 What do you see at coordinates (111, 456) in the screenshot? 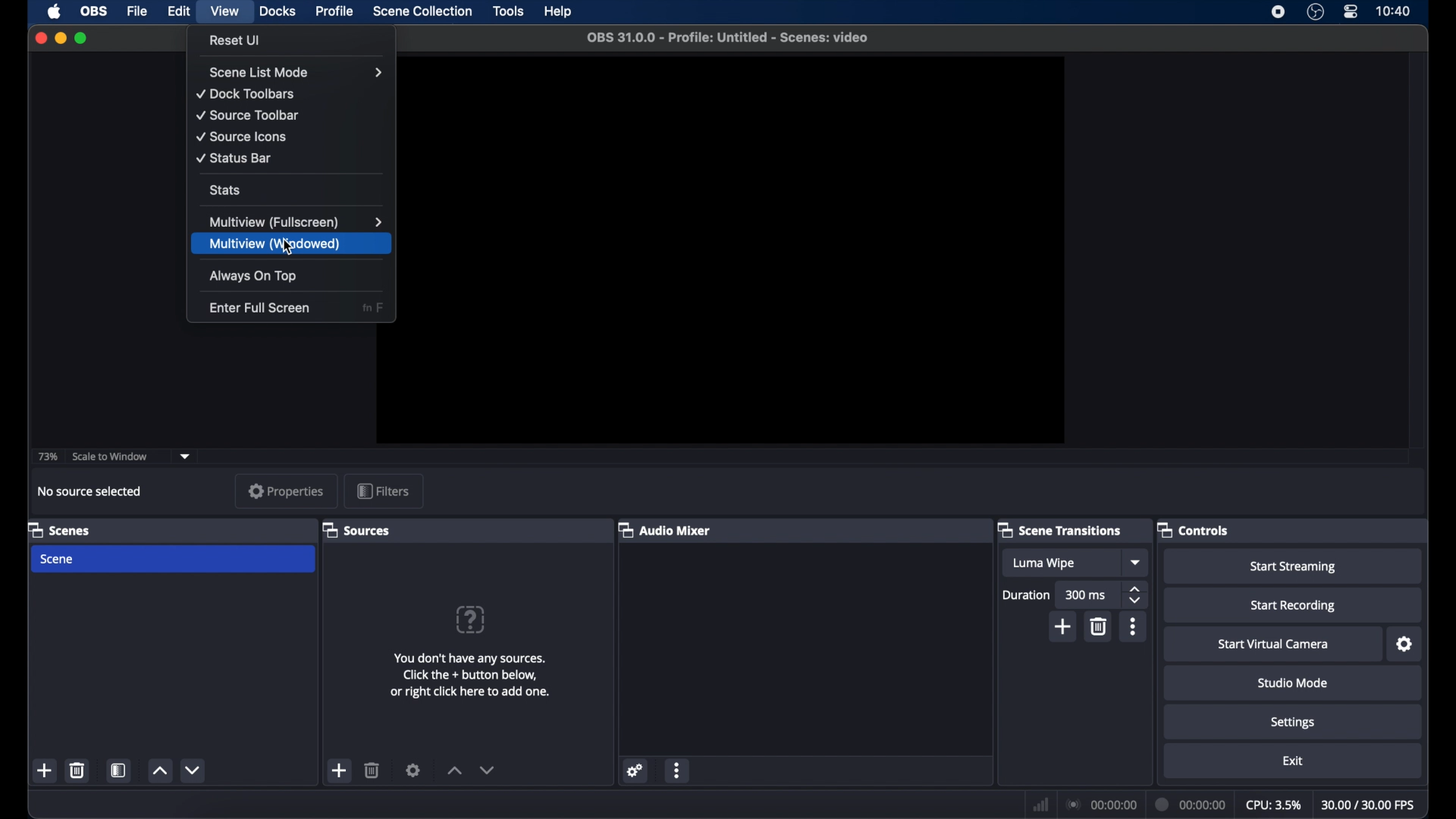
I see `scale to window` at bounding box center [111, 456].